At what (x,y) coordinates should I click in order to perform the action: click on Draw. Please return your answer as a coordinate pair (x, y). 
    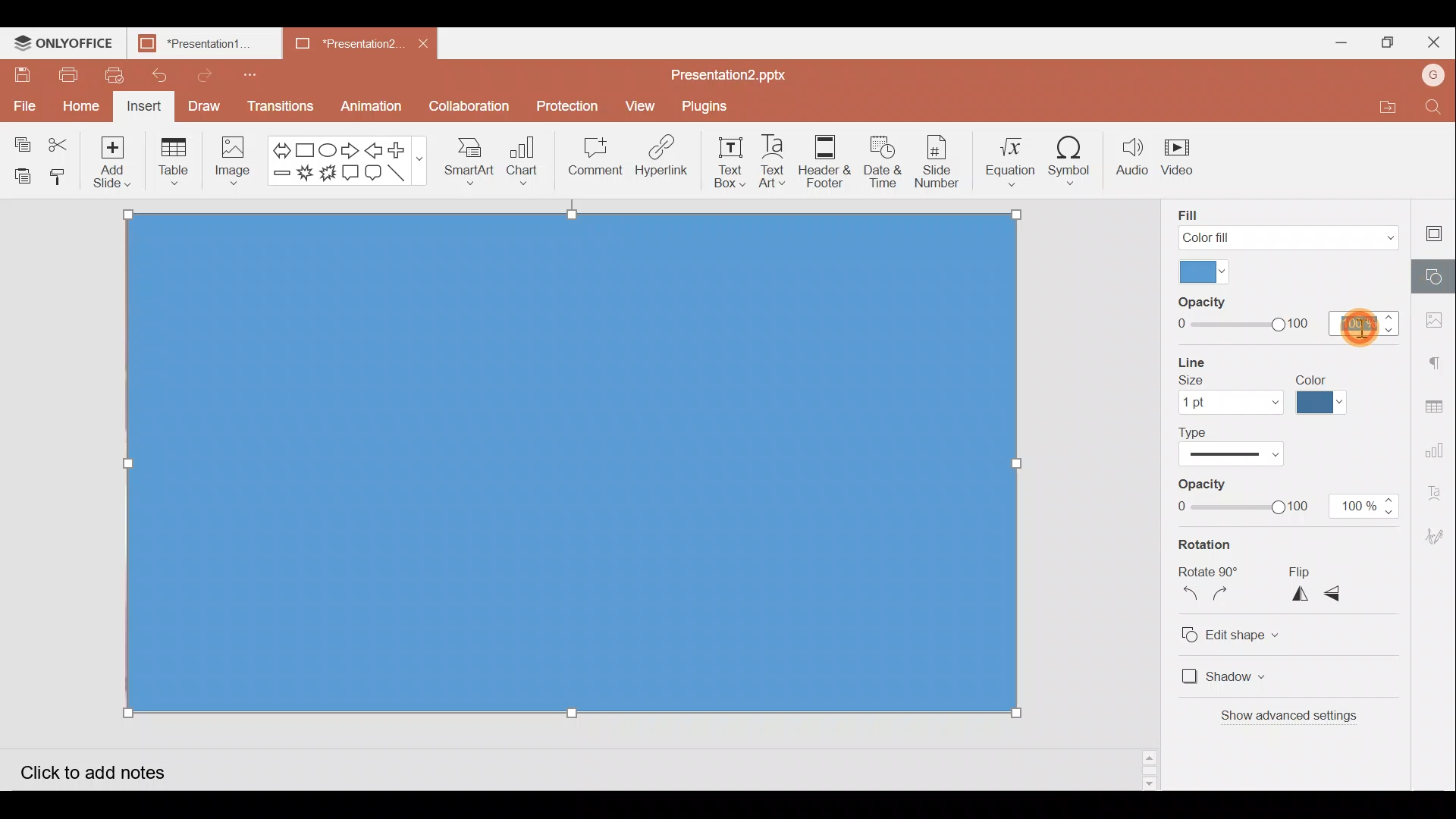
    Looking at the image, I should click on (205, 108).